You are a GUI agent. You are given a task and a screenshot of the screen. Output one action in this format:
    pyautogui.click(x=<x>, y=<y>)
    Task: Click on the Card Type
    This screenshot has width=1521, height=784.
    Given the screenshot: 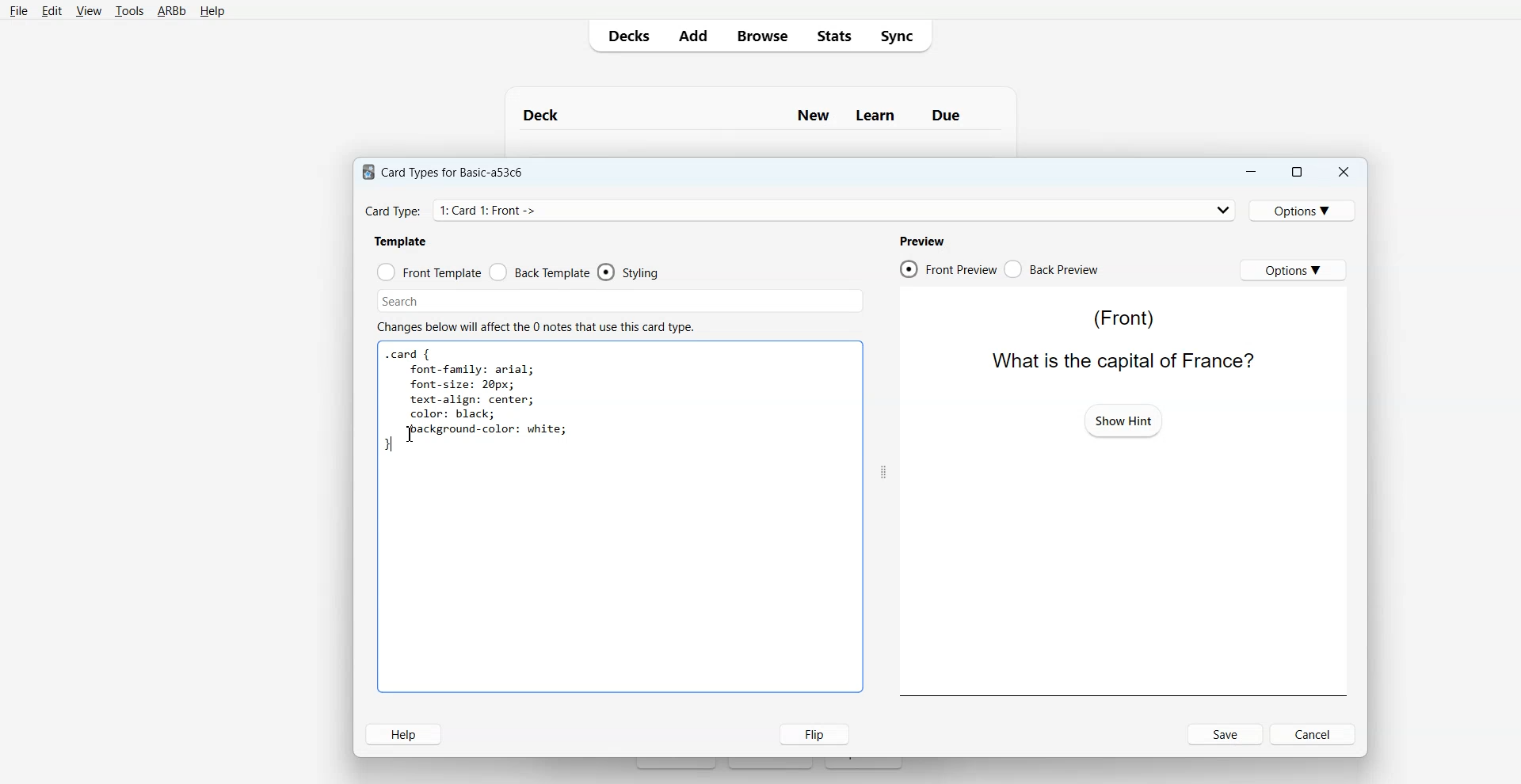 What is the action you would take?
    pyautogui.click(x=801, y=210)
    